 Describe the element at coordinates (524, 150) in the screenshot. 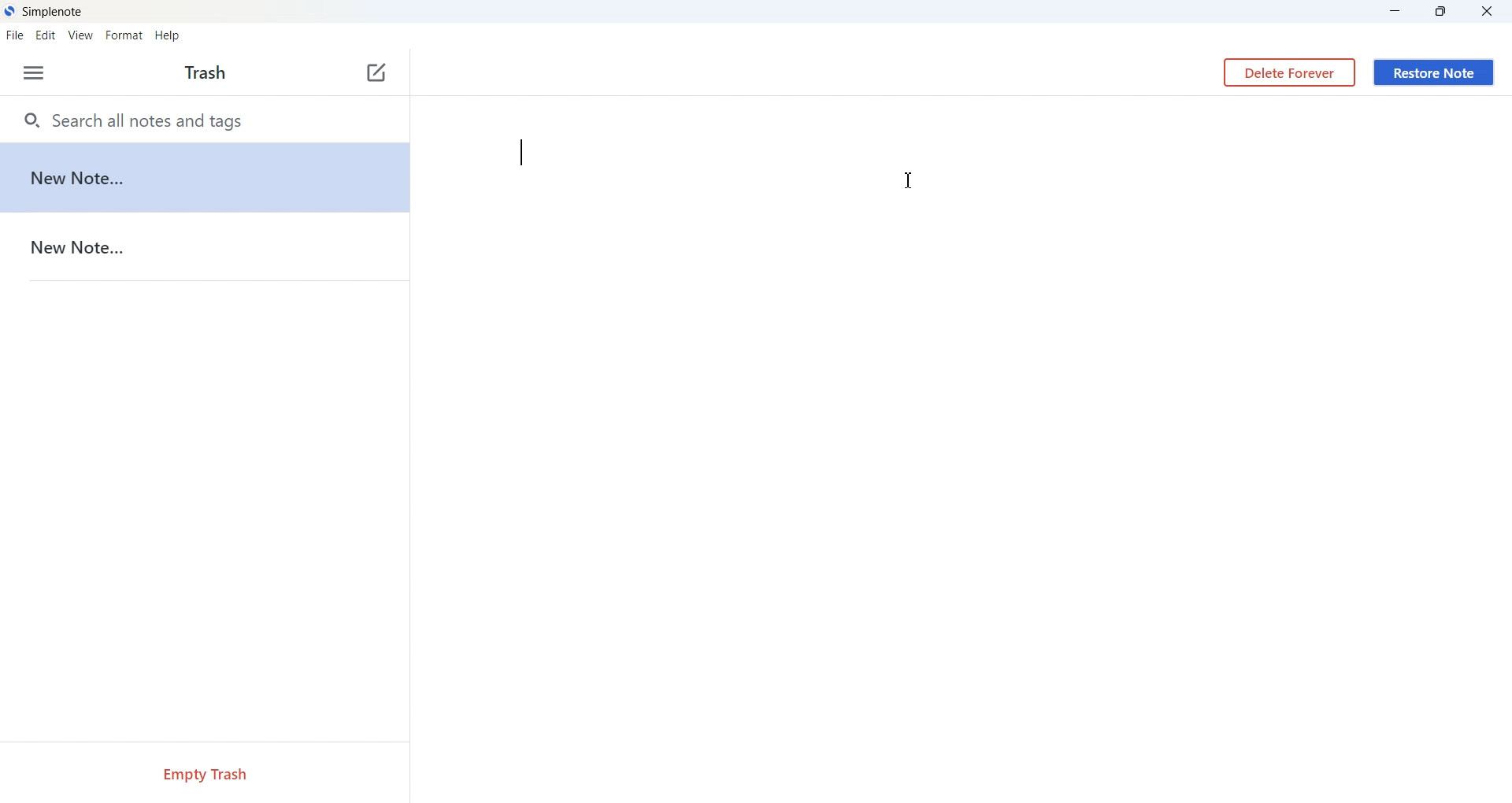

I see `type bar` at that location.